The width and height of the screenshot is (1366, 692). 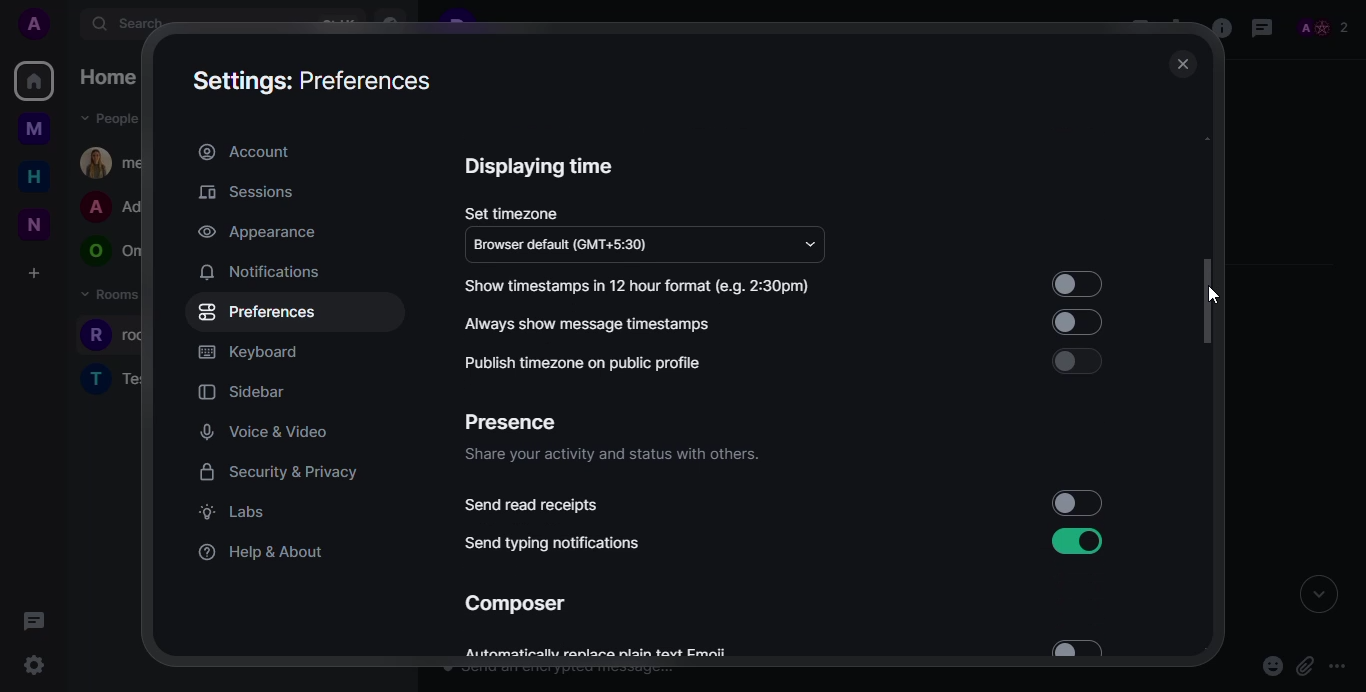 I want to click on presence, so click(x=510, y=422).